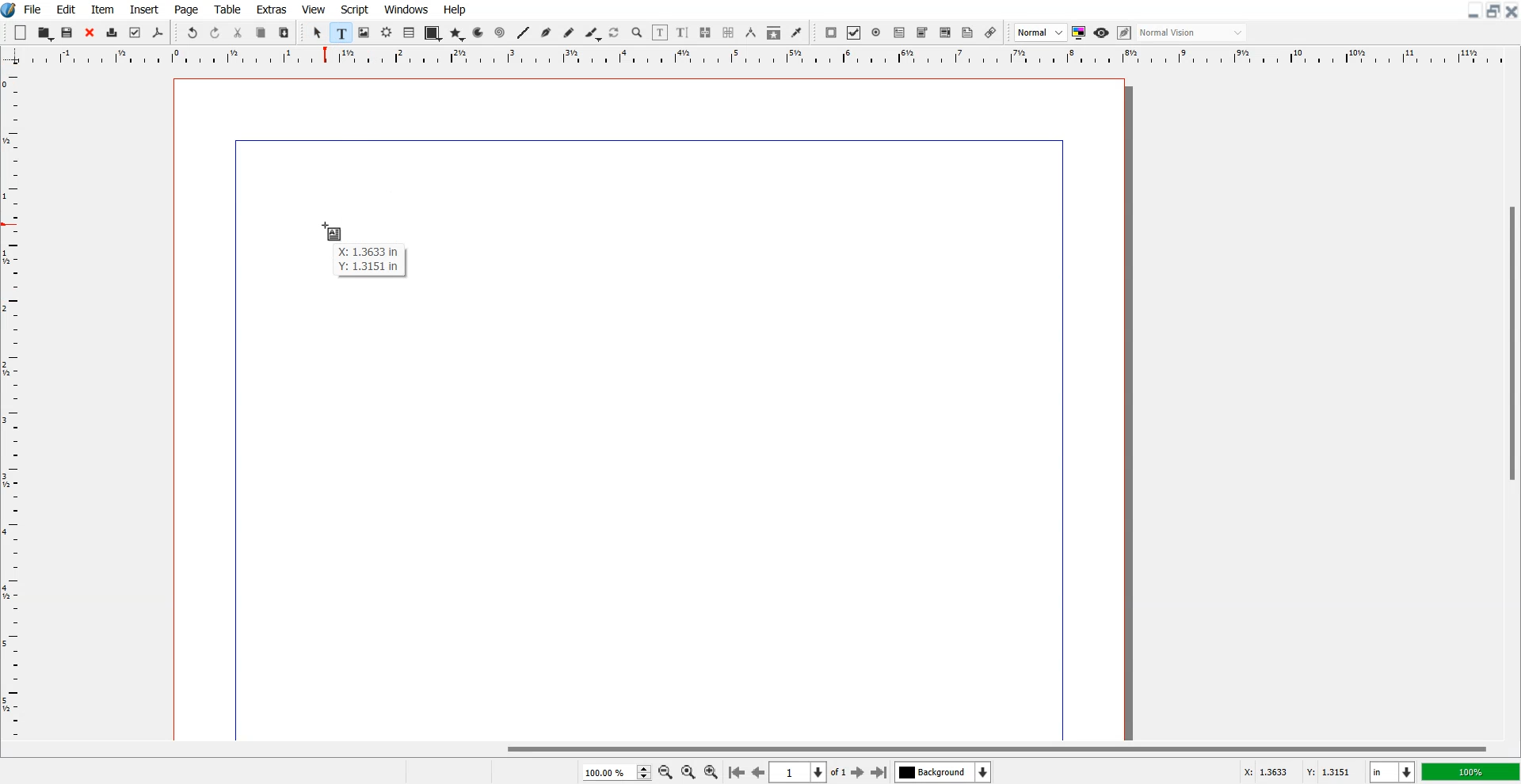 The height and width of the screenshot is (784, 1521). What do you see at coordinates (102, 10) in the screenshot?
I see `Item` at bounding box center [102, 10].